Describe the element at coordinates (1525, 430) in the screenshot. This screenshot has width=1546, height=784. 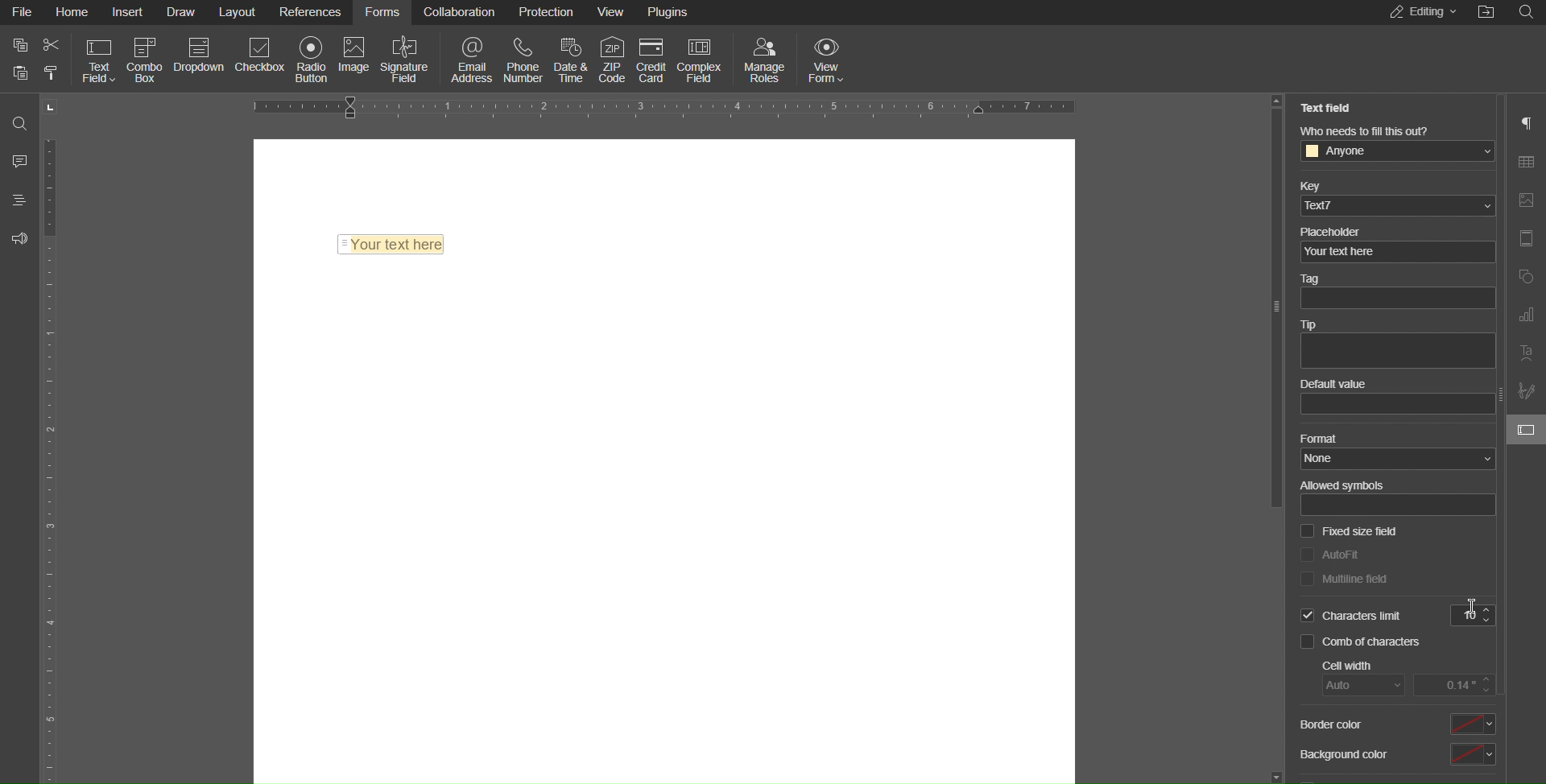
I see `field settings` at that location.